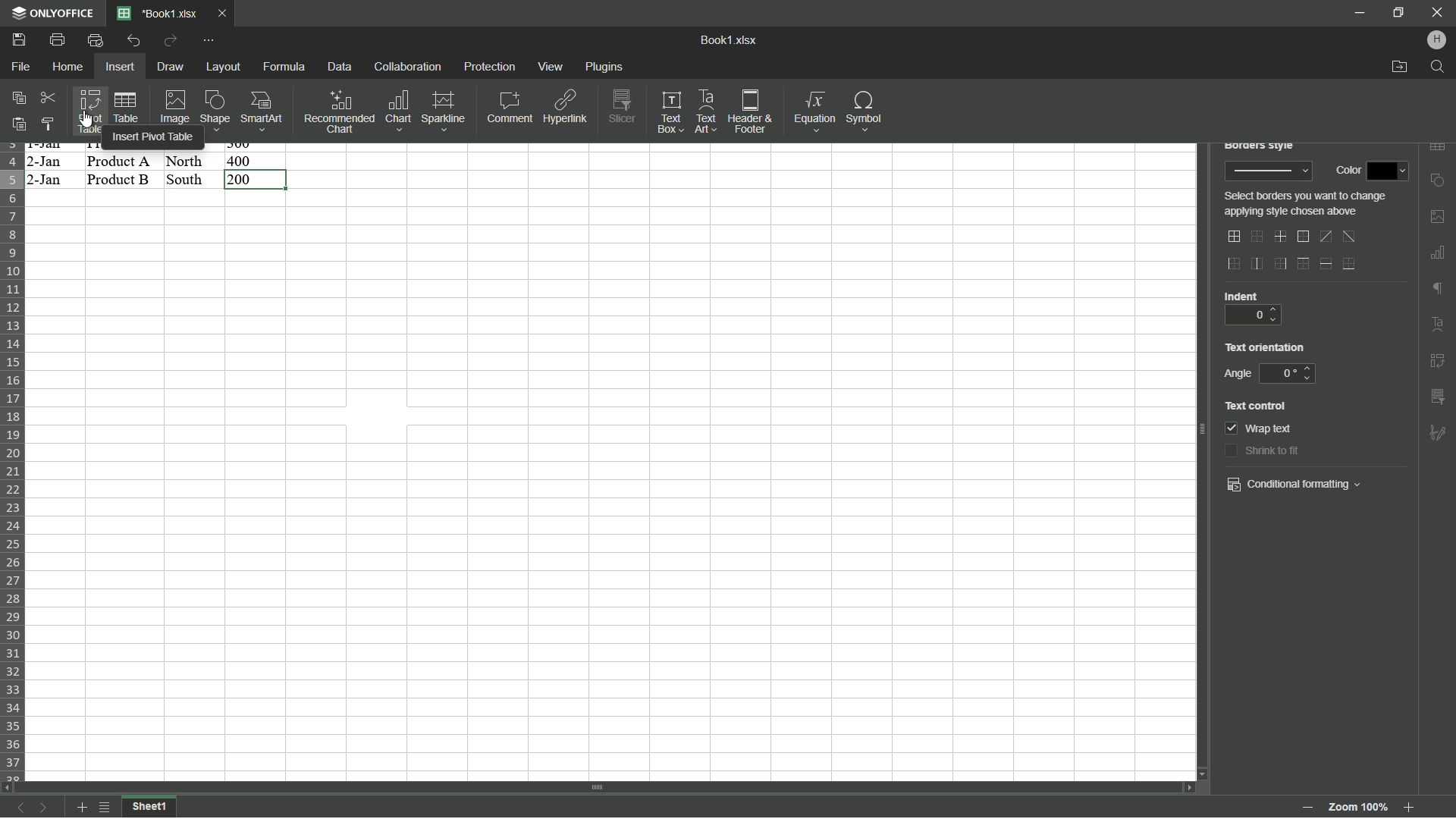  What do you see at coordinates (19, 810) in the screenshot?
I see `previous sheet` at bounding box center [19, 810].